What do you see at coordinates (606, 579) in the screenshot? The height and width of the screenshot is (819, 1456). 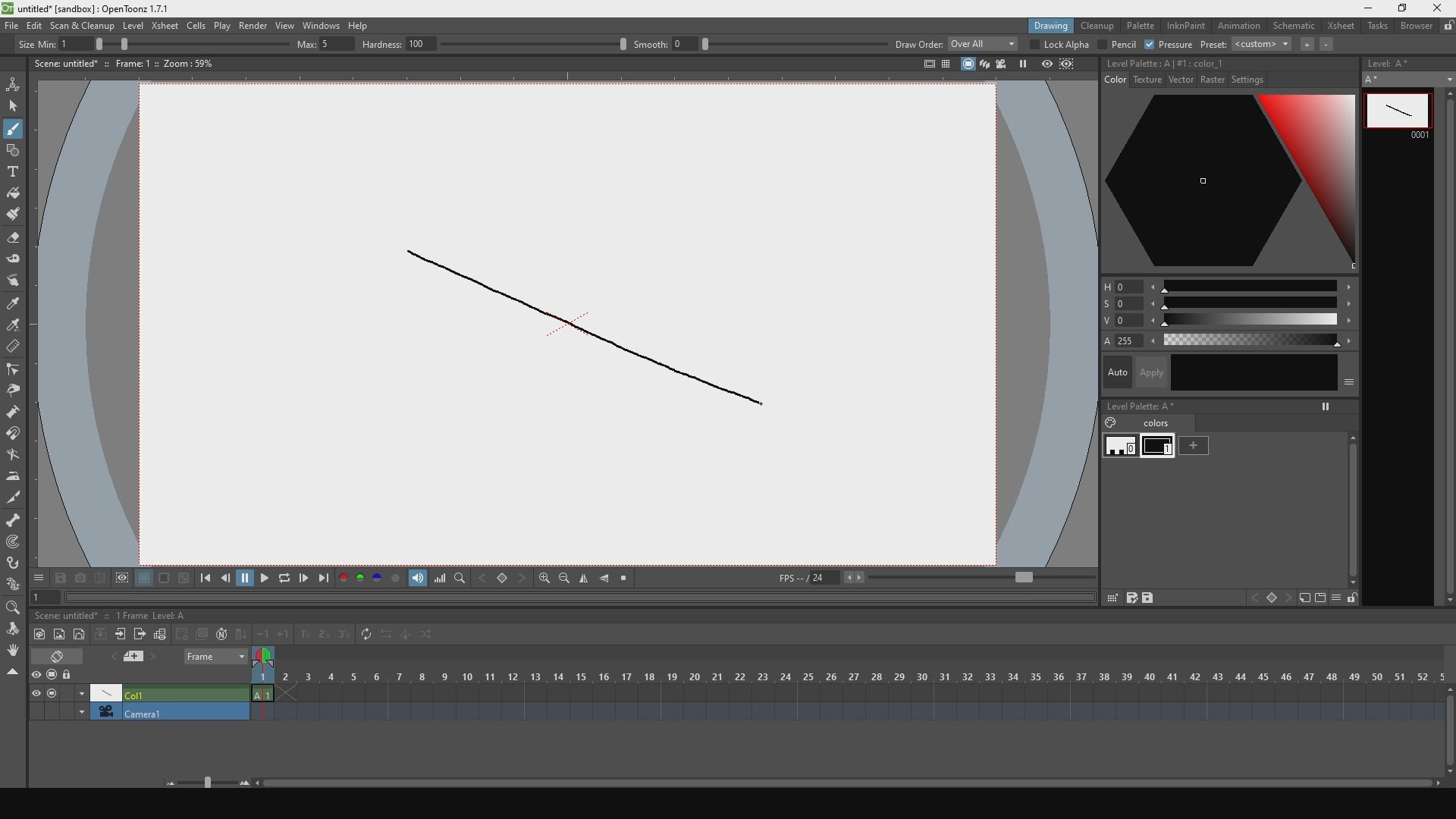 I see `align horizontally` at bounding box center [606, 579].